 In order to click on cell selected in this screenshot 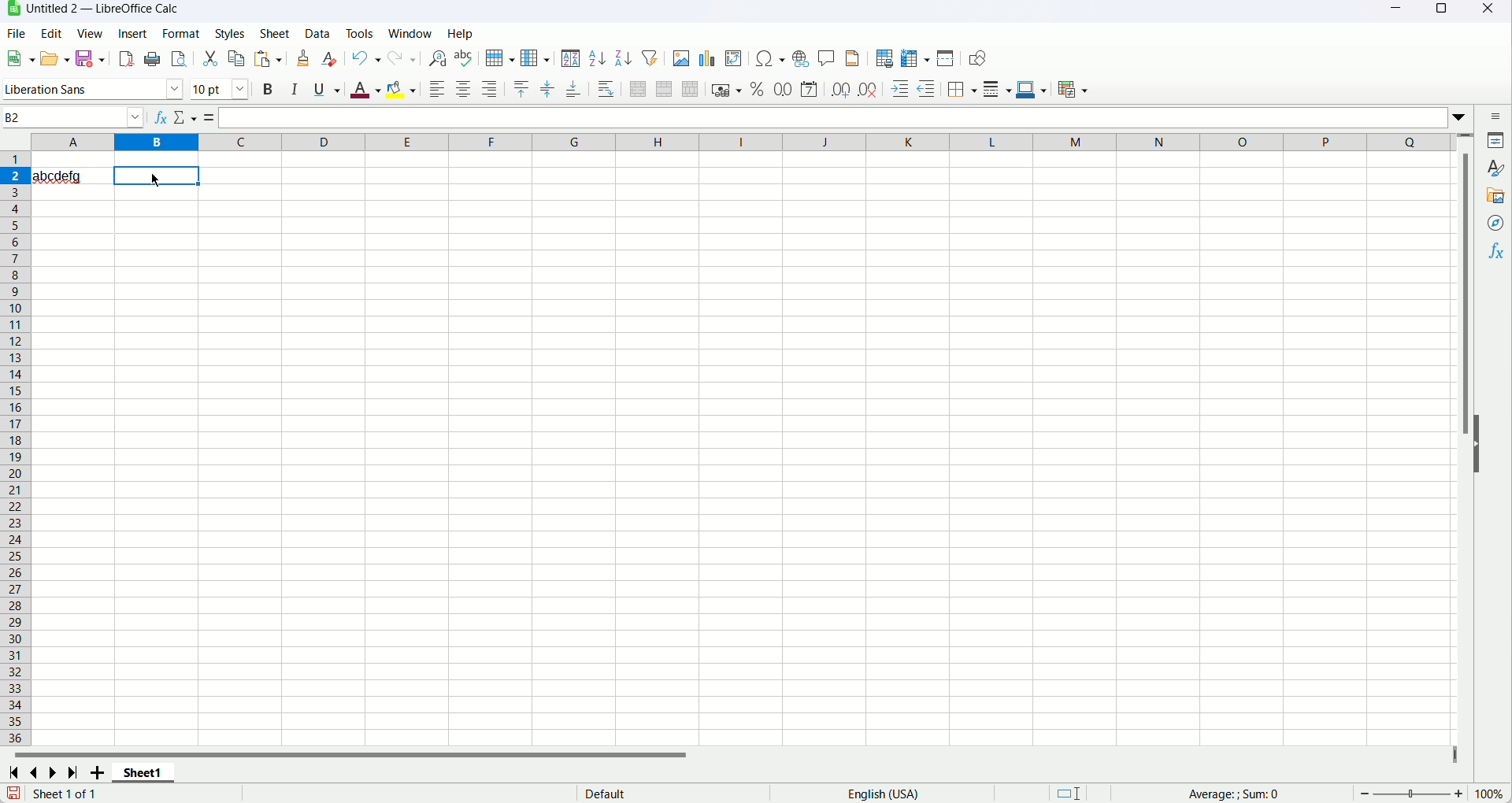, I will do `click(157, 176)`.